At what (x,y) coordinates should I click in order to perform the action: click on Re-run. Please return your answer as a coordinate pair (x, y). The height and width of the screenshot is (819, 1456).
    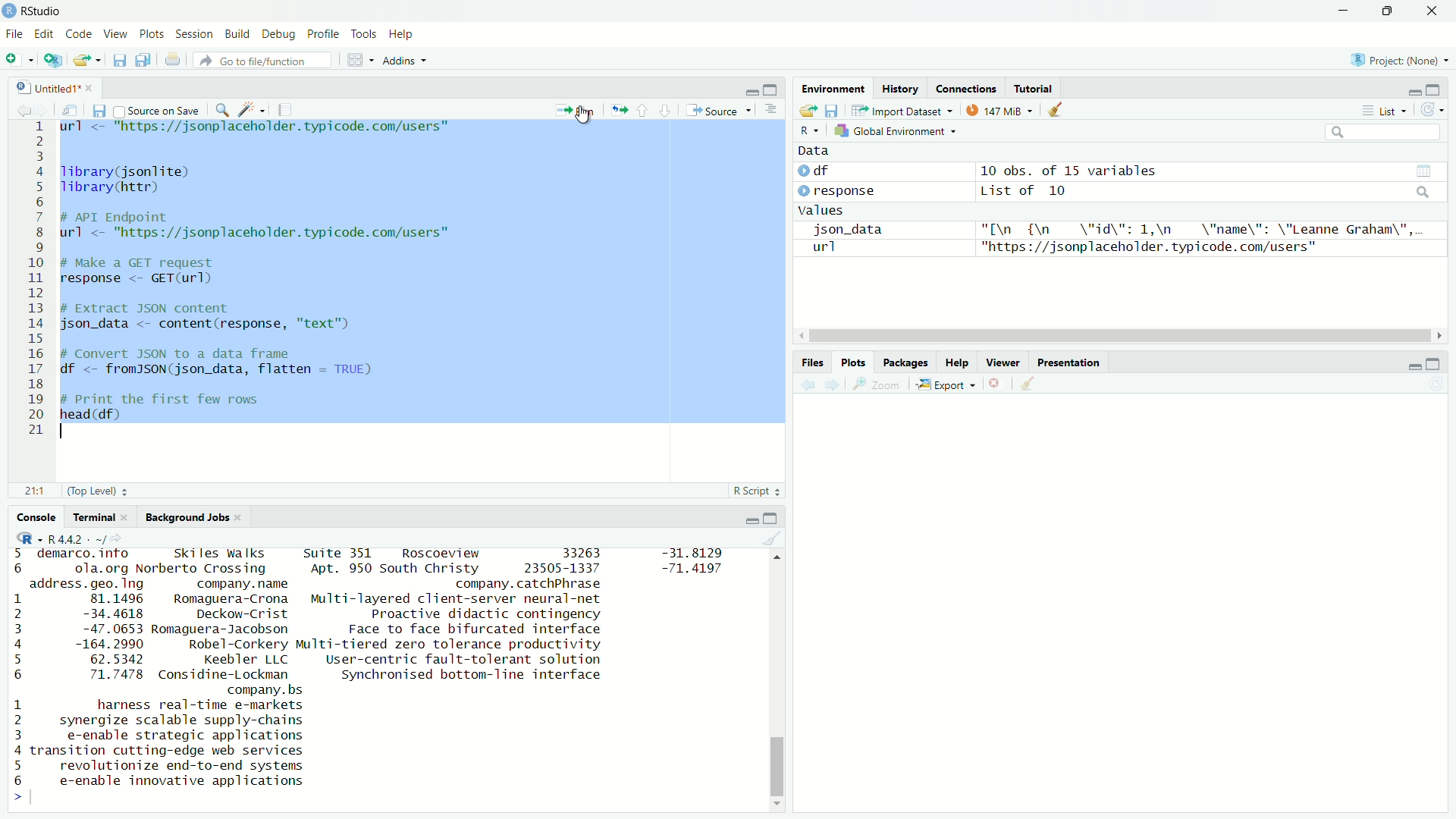
    Looking at the image, I should click on (617, 108).